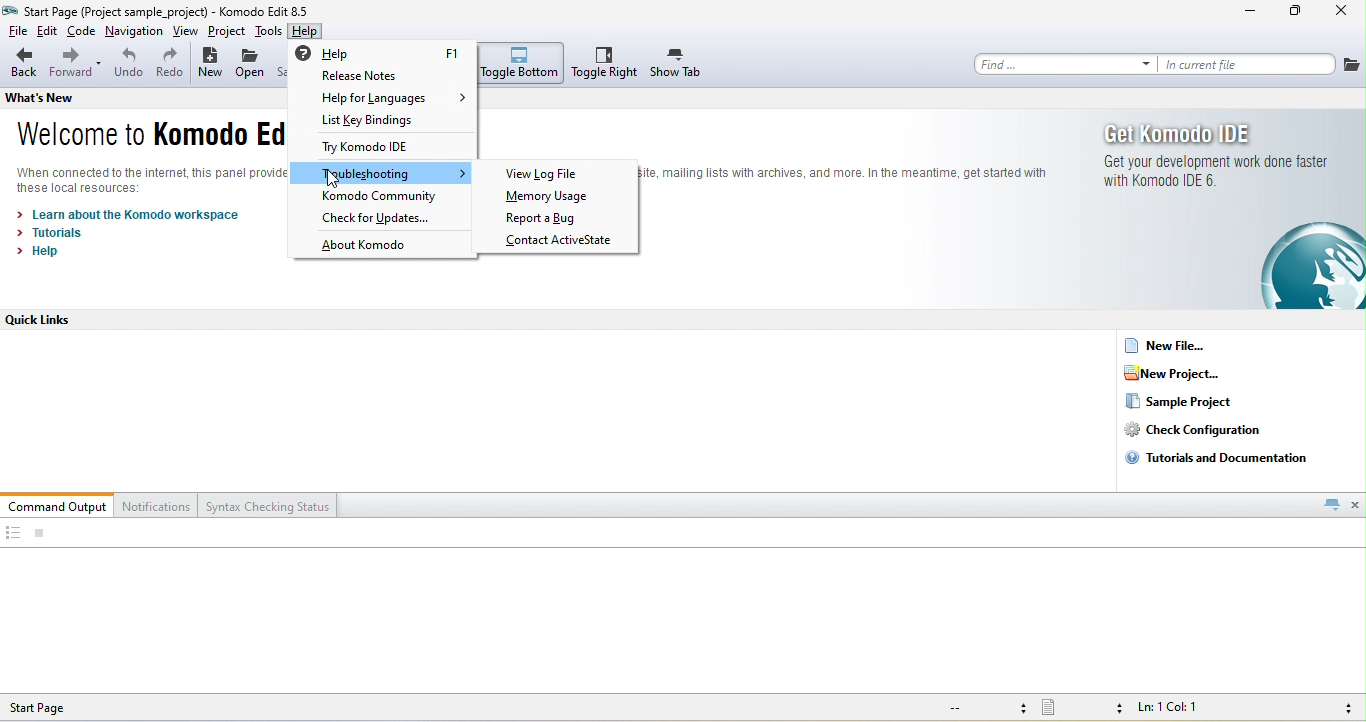 The image size is (1366, 722). What do you see at coordinates (1180, 402) in the screenshot?
I see `sample project` at bounding box center [1180, 402].